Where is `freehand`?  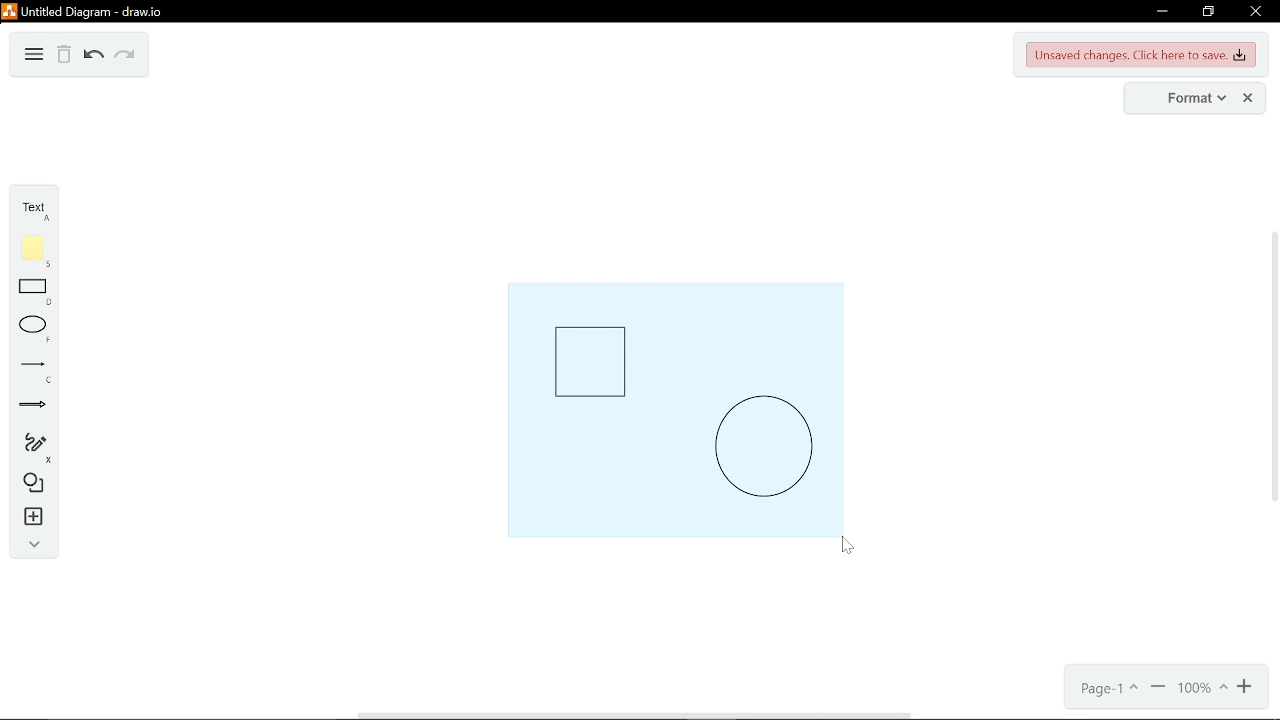
freehand is located at coordinates (27, 448).